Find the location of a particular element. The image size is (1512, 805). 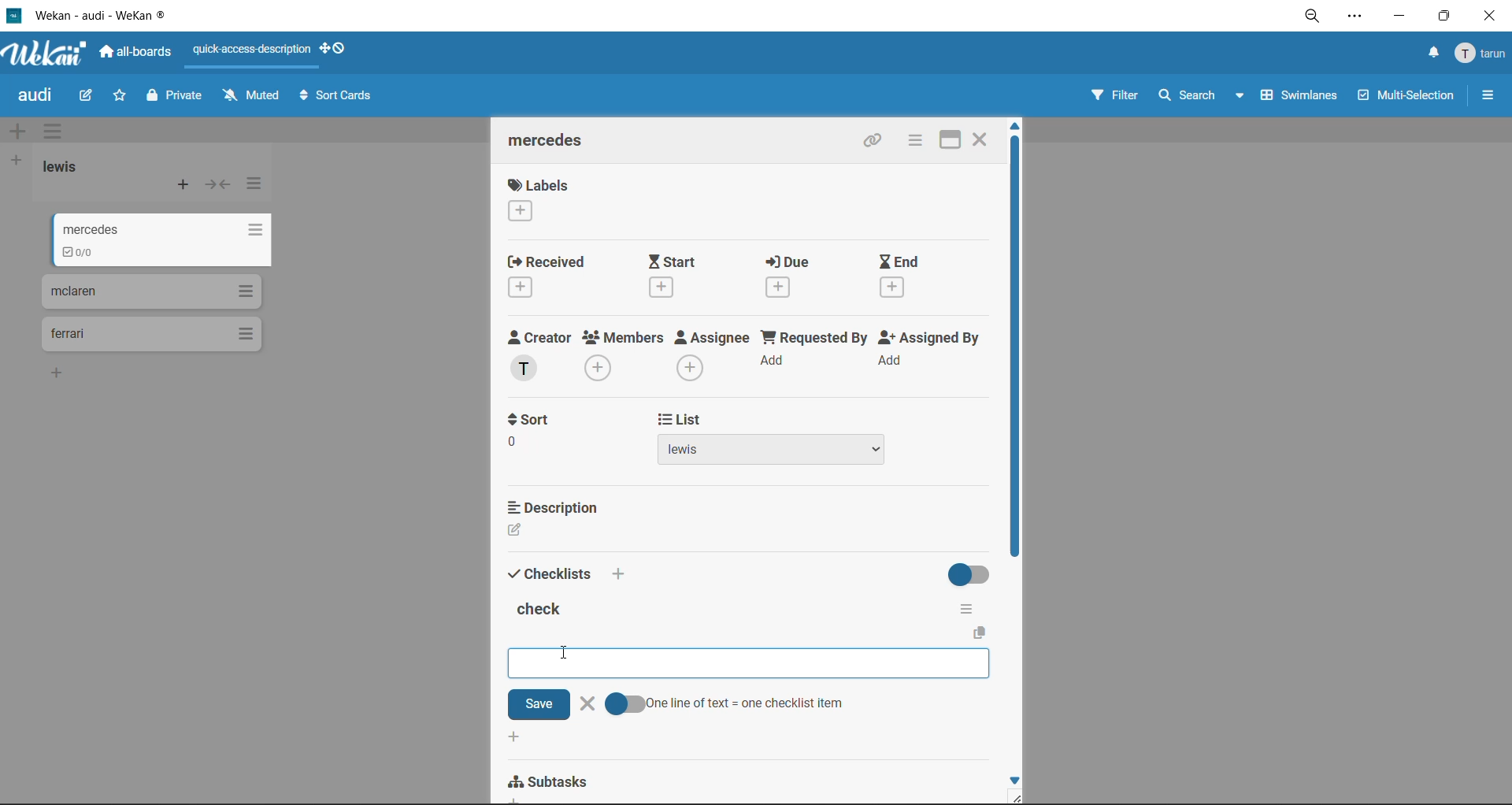

cards is located at coordinates (150, 337).